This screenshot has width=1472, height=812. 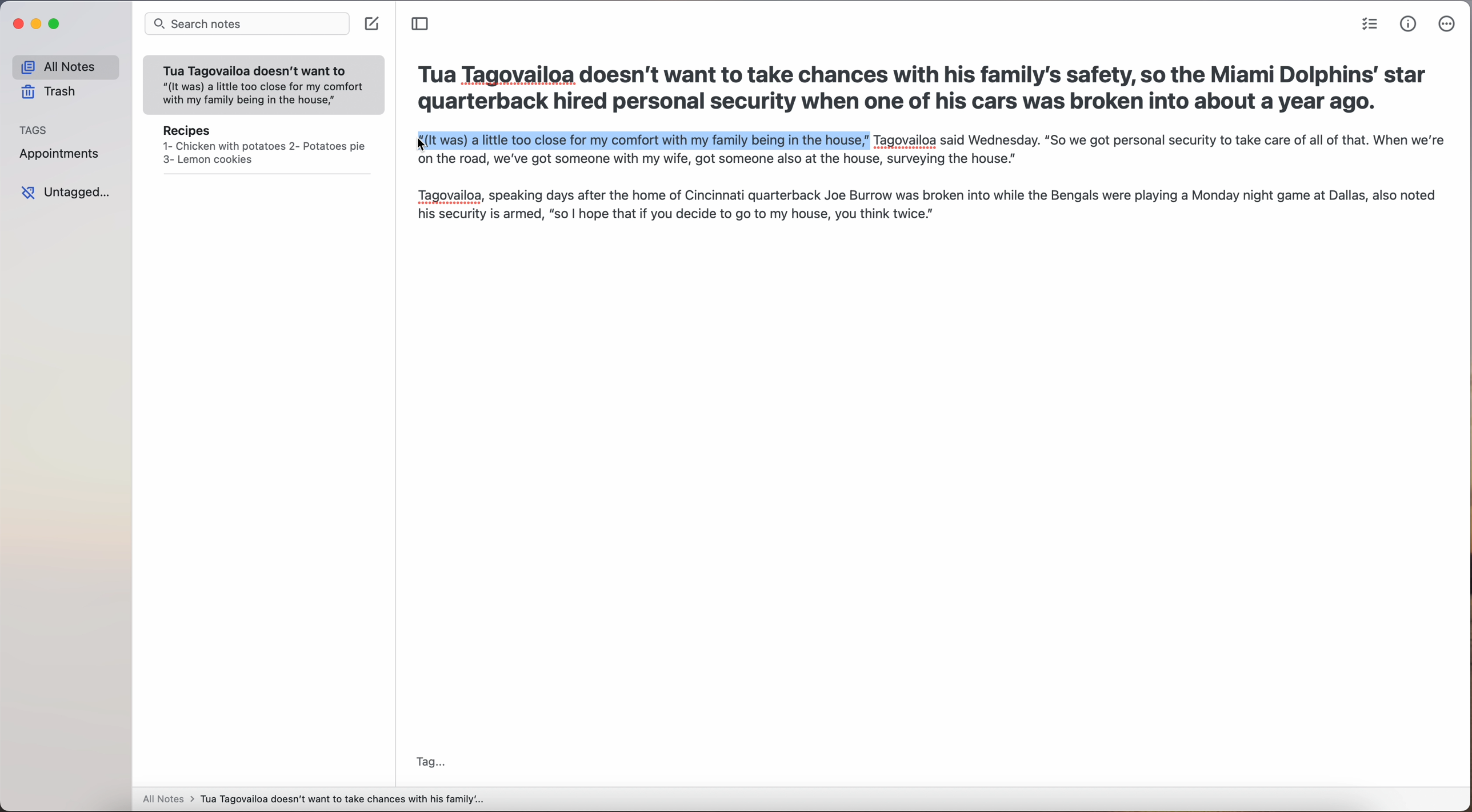 What do you see at coordinates (17, 24) in the screenshot?
I see `close Simplenote` at bounding box center [17, 24].